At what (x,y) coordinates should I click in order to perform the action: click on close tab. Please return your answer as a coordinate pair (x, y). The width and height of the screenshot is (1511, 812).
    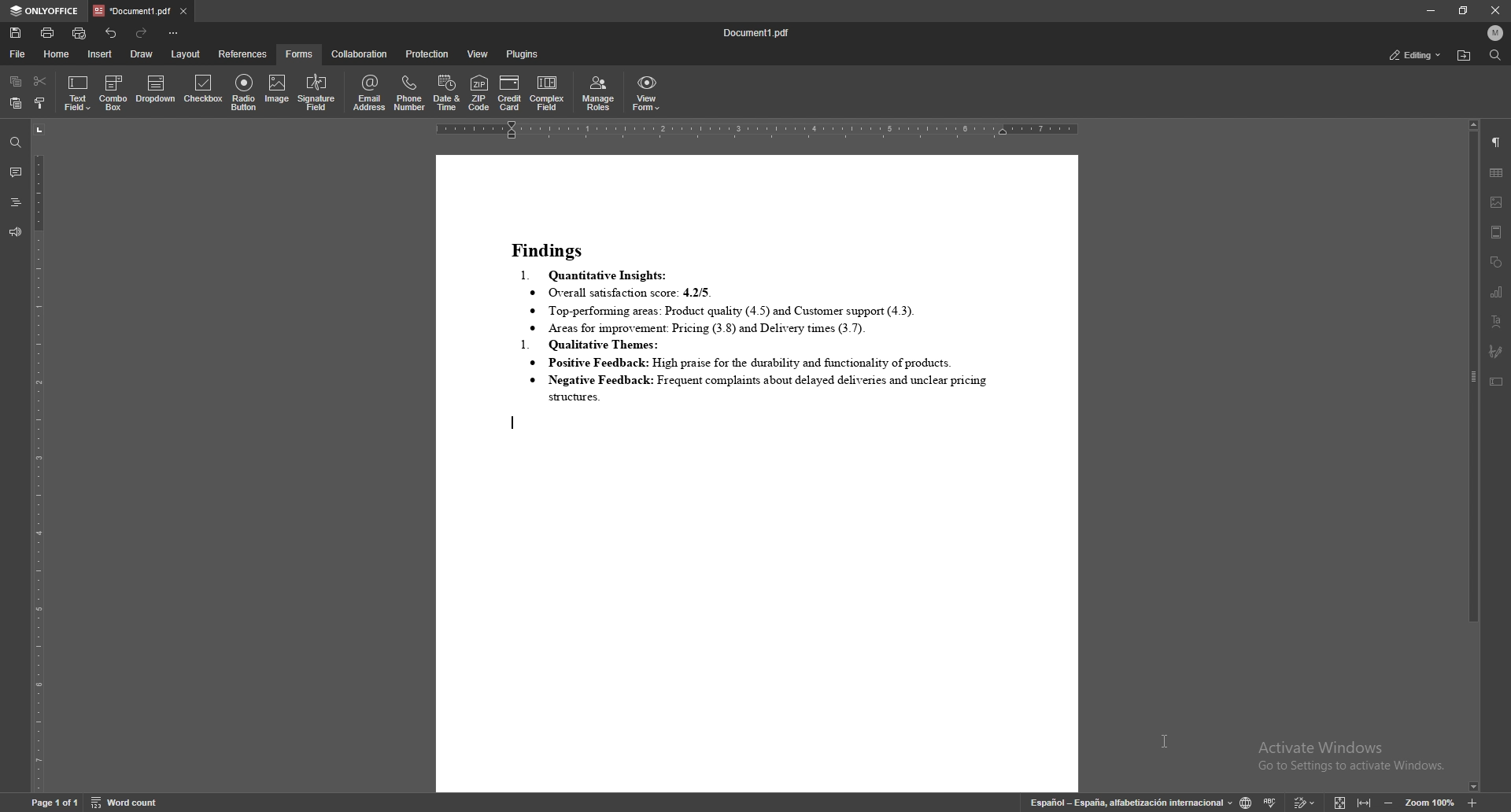
    Looking at the image, I should click on (183, 12).